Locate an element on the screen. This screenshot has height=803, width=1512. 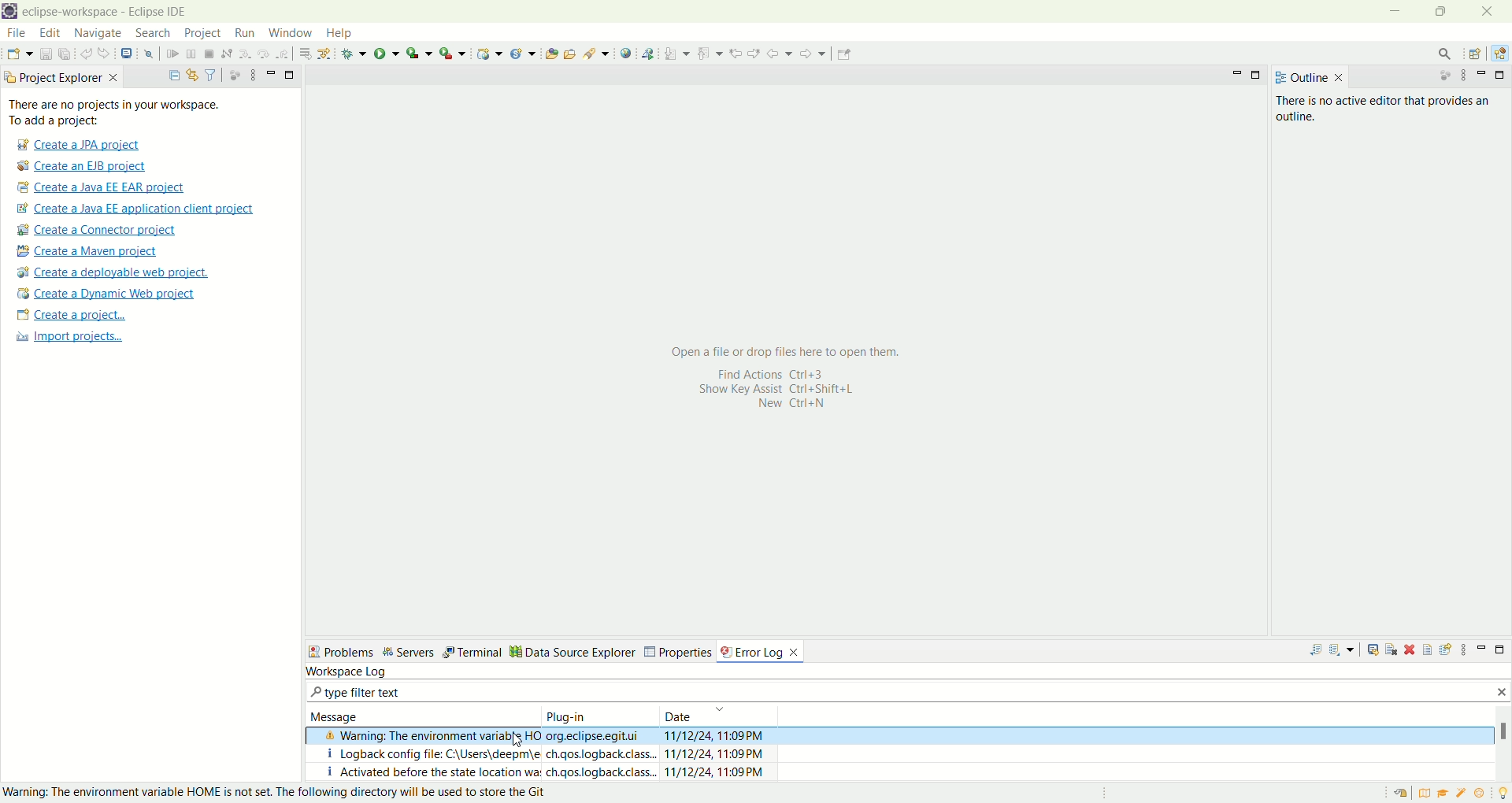
window is located at coordinates (292, 31).